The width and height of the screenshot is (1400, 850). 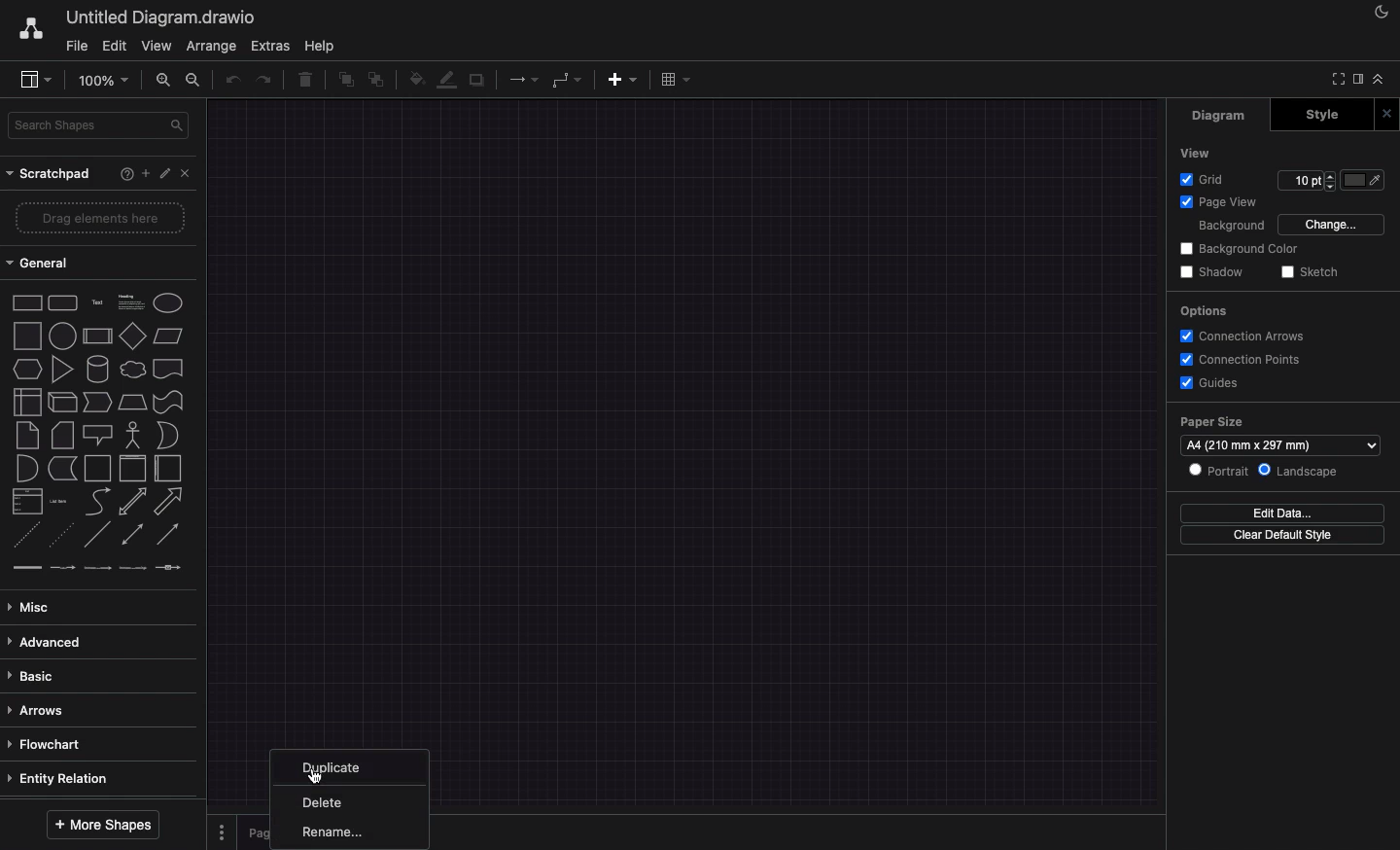 What do you see at coordinates (1242, 248) in the screenshot?
I see `background color` at bounding box center [1242, 248].